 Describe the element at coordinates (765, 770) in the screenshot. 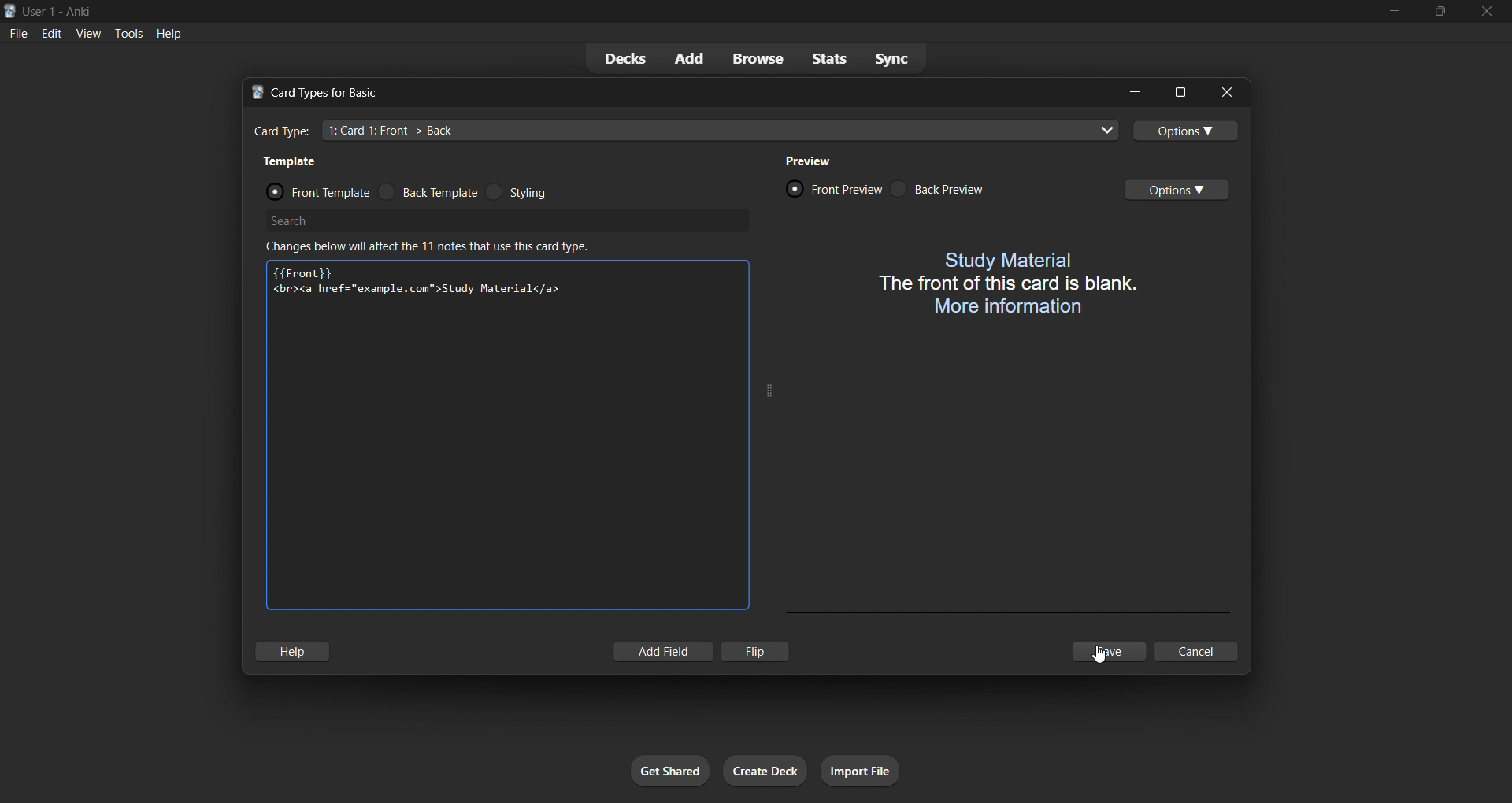

I see ` create deck` at that location.